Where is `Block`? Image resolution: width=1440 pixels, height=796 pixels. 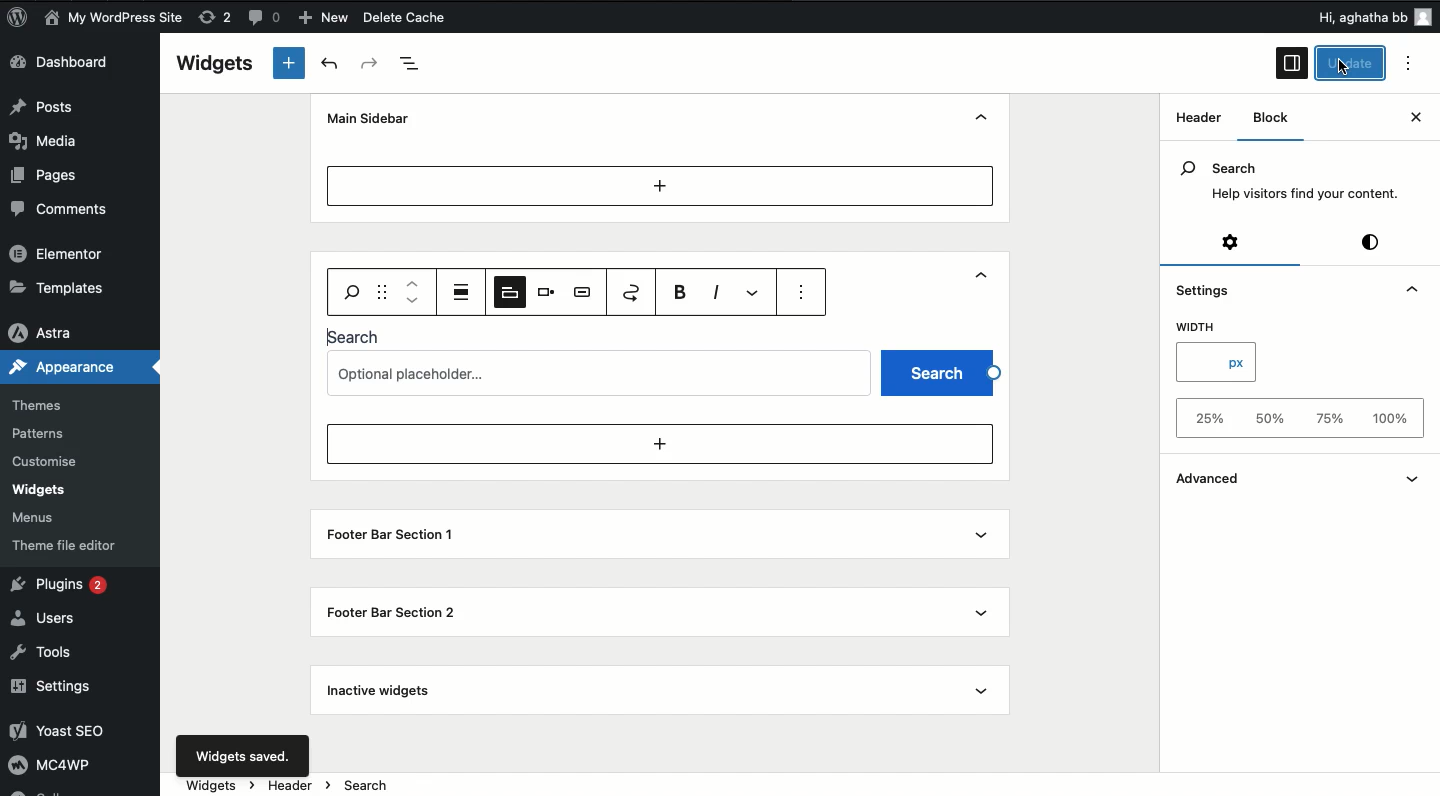 Block is located at coordinates (1275, 118).